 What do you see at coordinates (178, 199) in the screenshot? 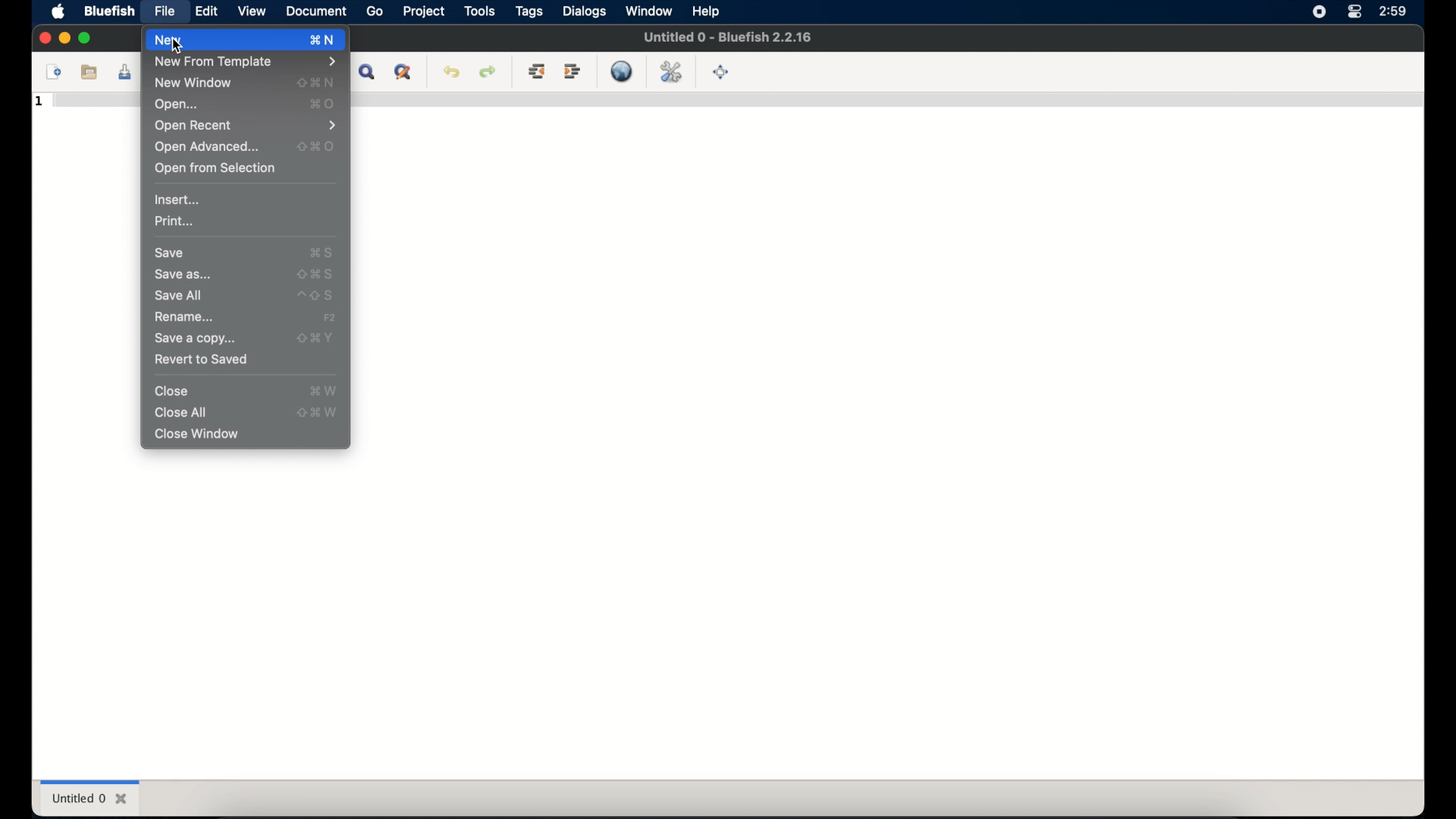
I see `insert` at bounding box center [178, 199].